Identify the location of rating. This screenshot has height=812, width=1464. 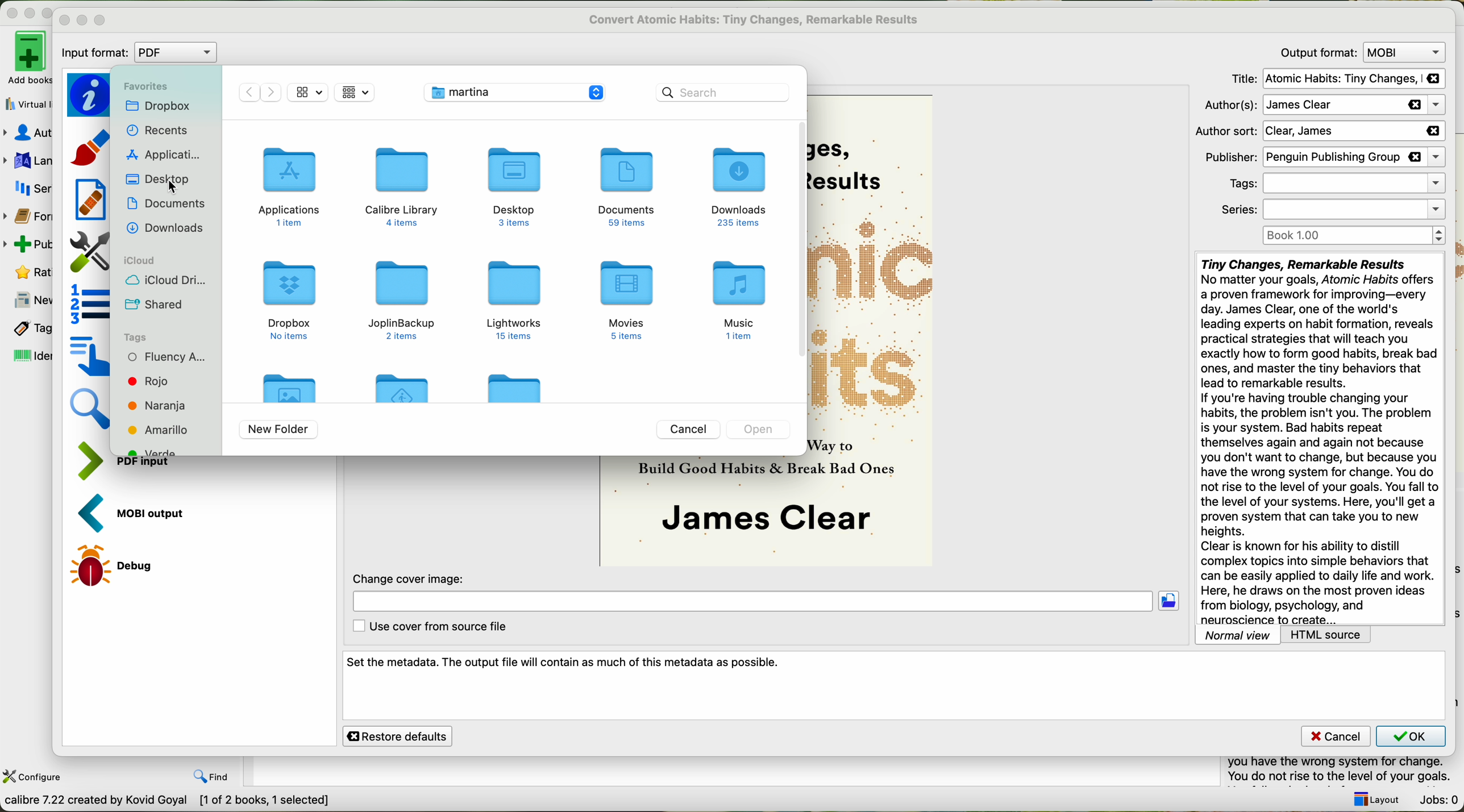
(31, 271).